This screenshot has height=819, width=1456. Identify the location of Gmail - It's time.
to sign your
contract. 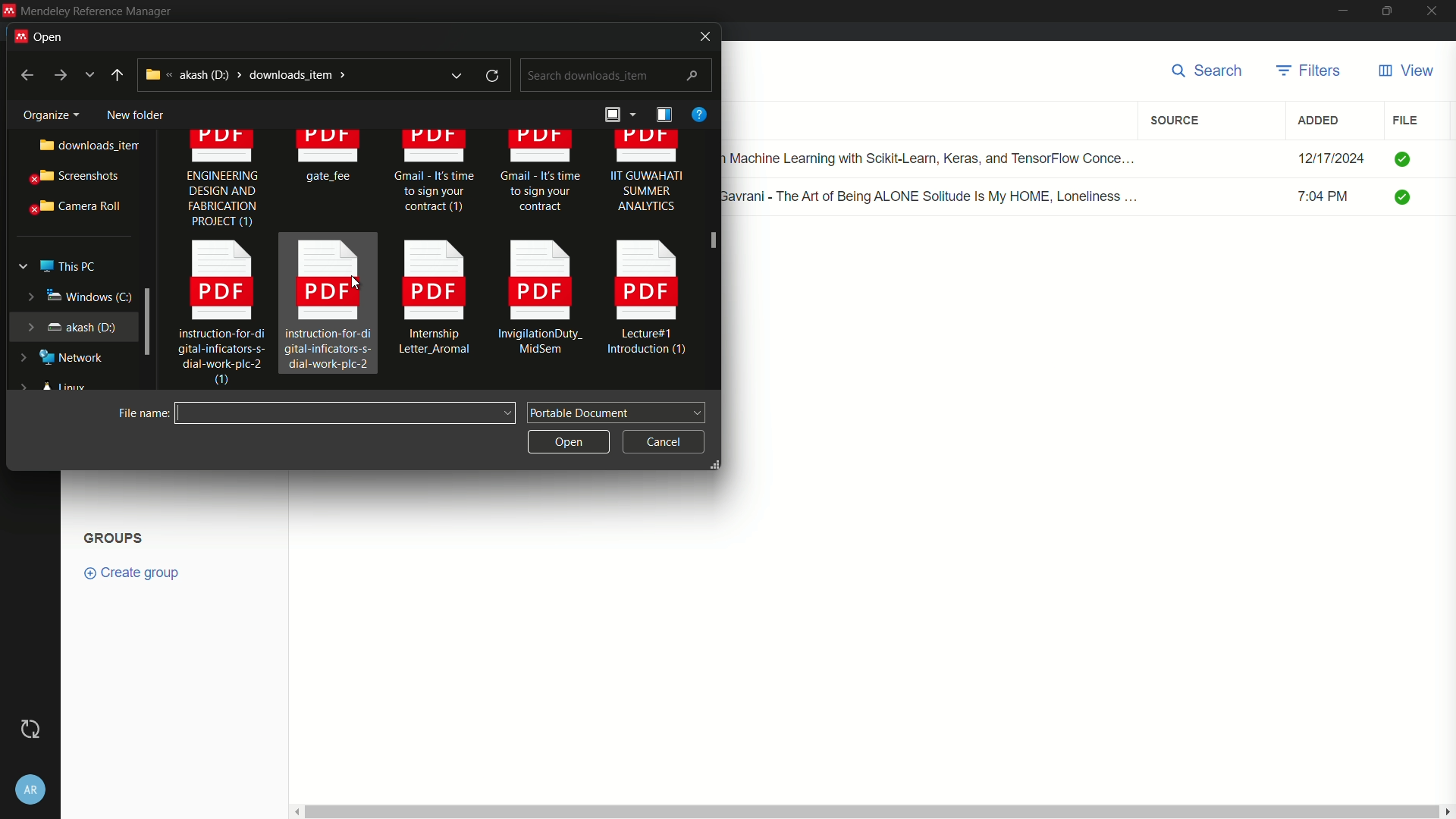
(541, 174).